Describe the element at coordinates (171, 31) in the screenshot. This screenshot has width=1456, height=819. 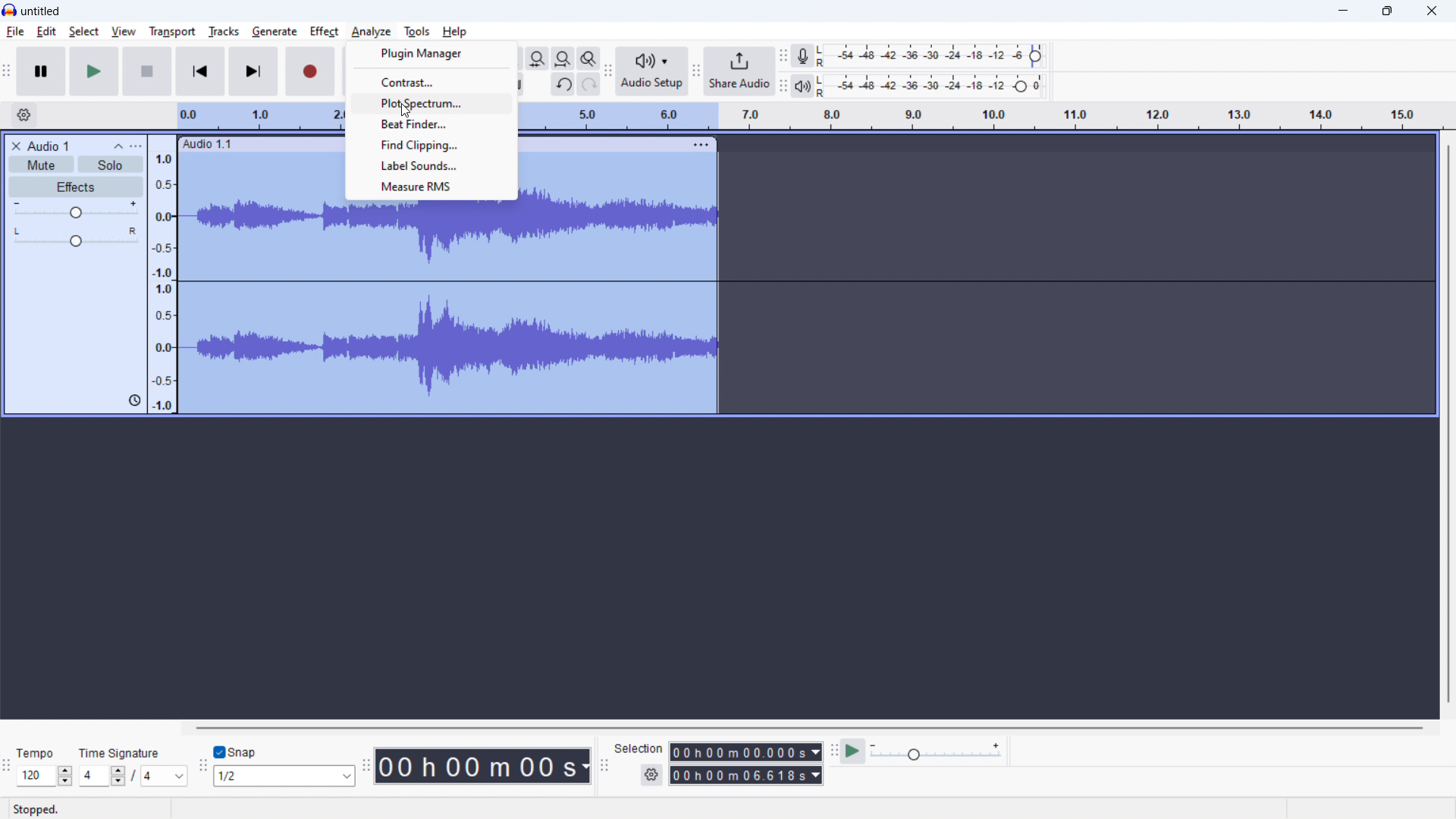
I see `transport` at that location.